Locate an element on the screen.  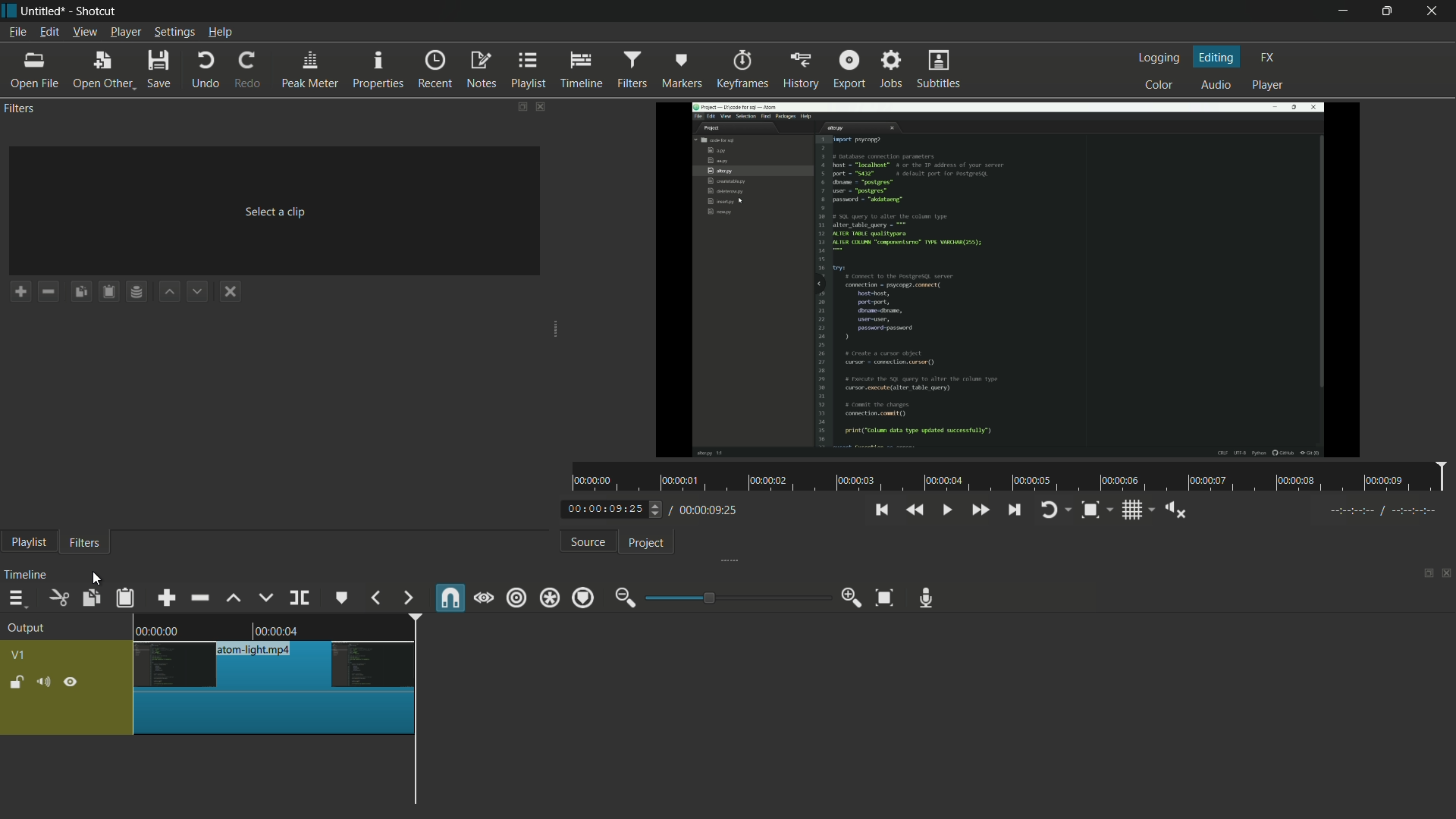
recent is located at coordinates (438, 70).